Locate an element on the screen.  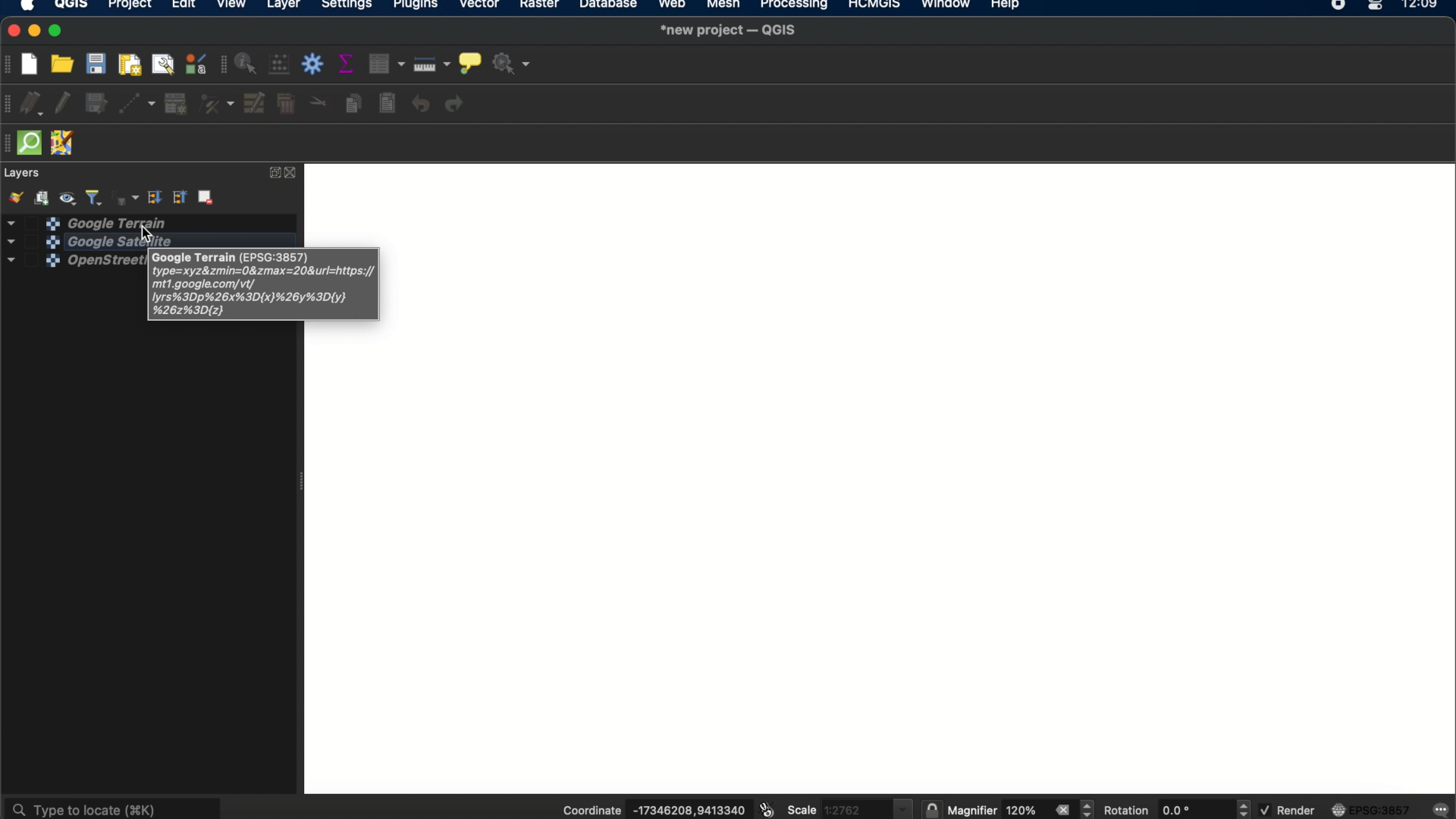
undo is located at coordinates (421, 105).